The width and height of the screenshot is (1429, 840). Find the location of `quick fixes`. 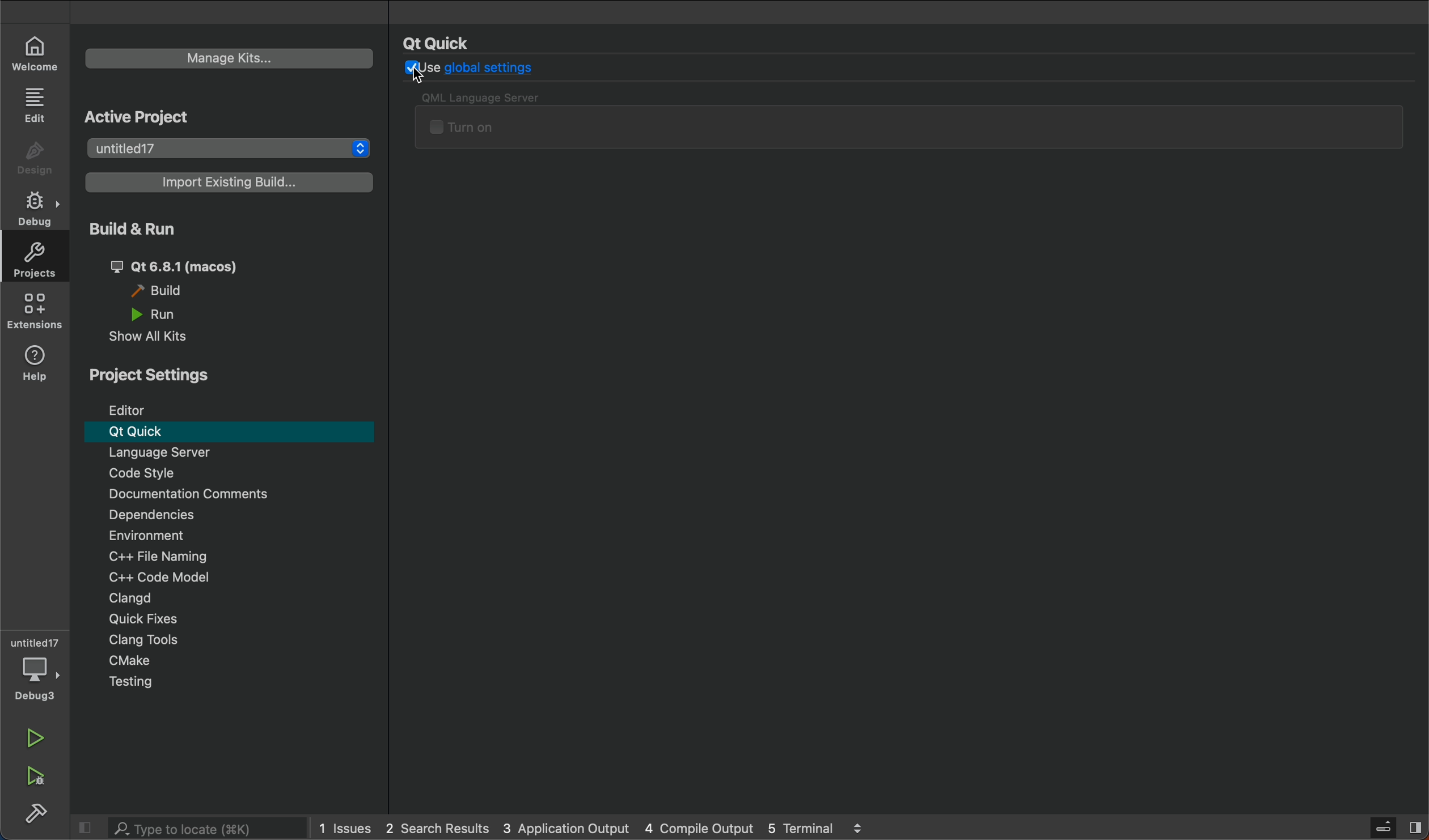

quick fixes is located at coordinates (231, 618).